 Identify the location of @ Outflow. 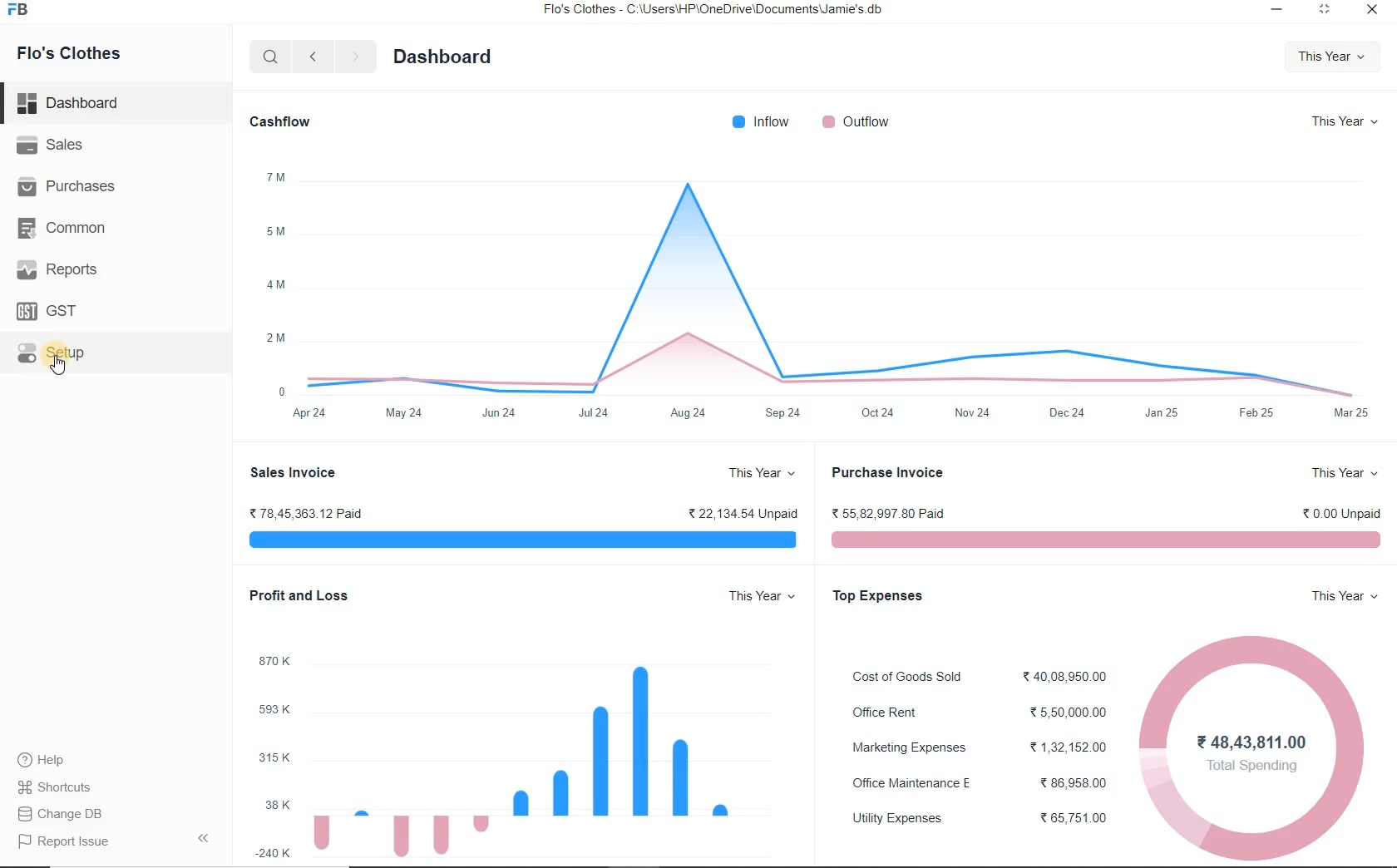
(856, 121).